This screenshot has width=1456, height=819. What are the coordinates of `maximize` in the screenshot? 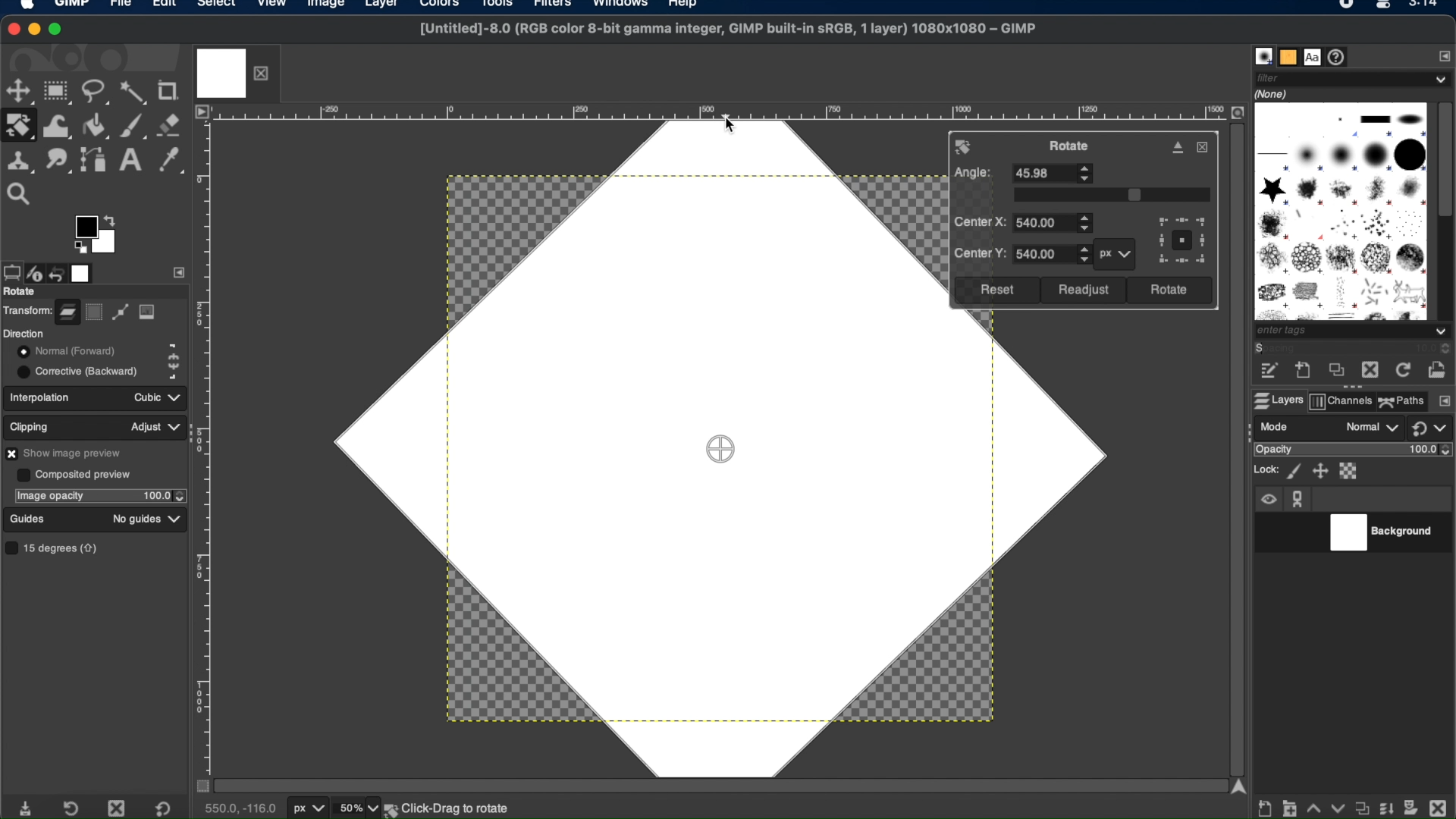 It's located at (58, 30).